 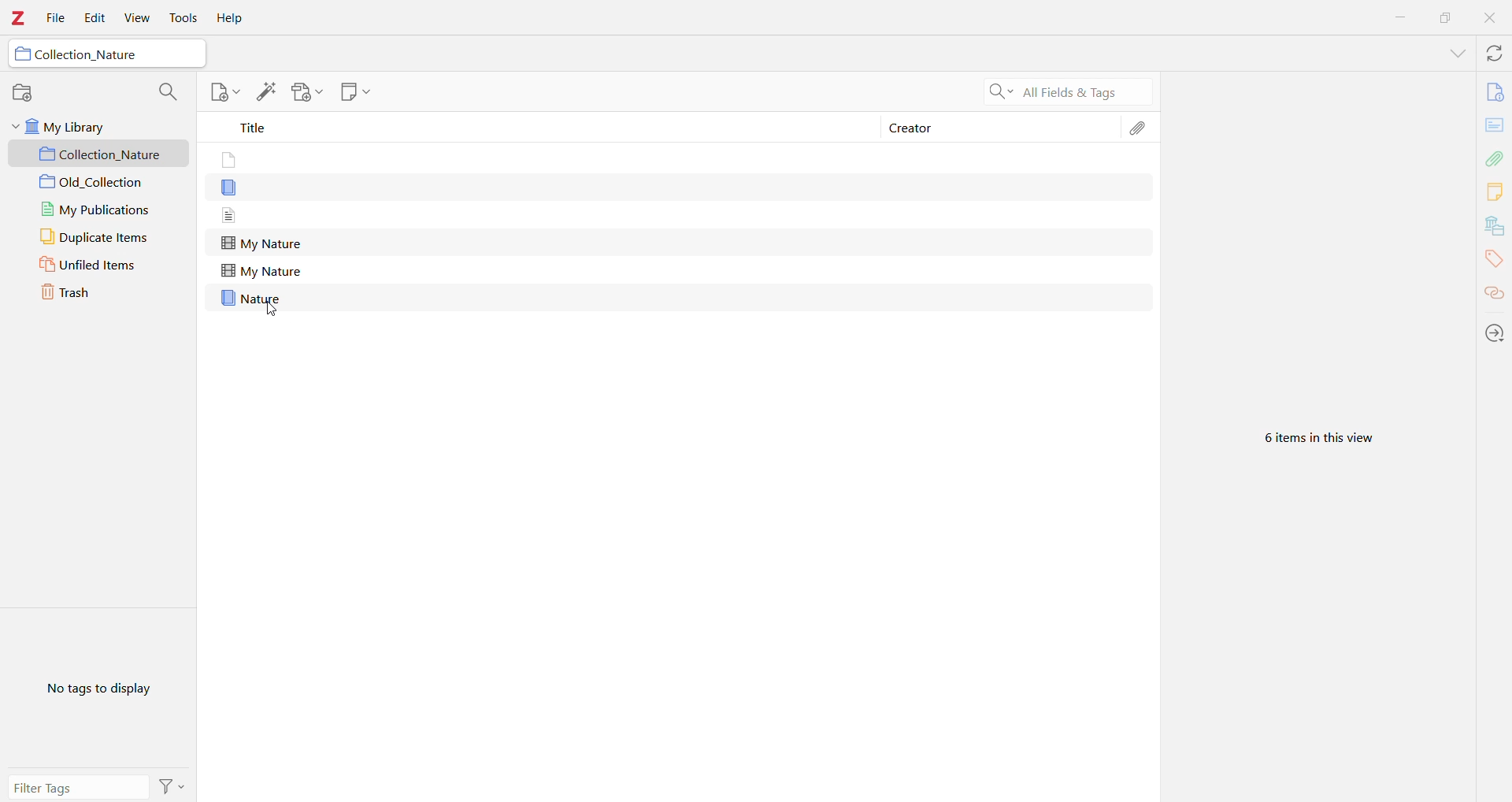 I want to click on Add Attachment, so click(x=307, y=92).